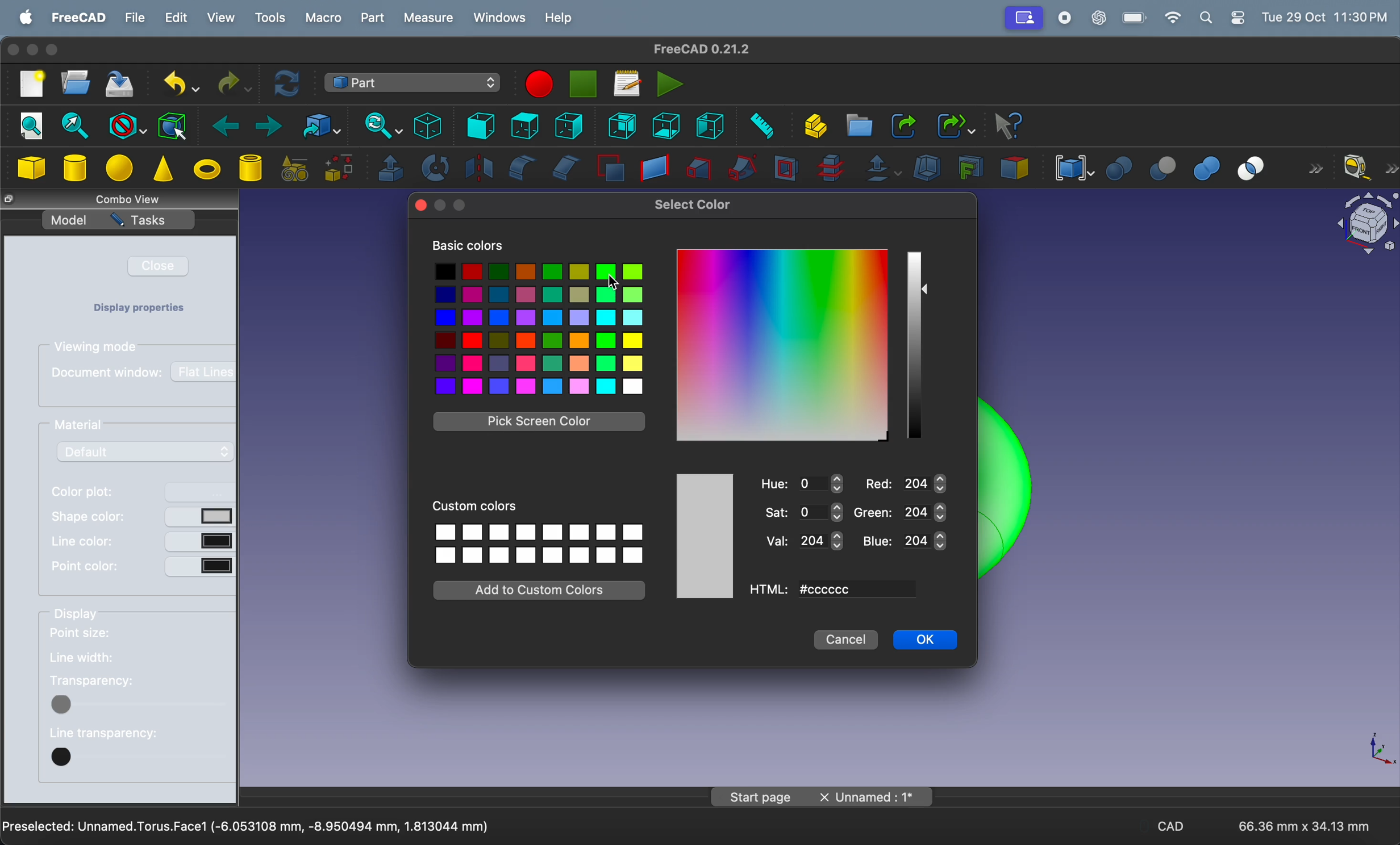  What do you see at coordinates (95, 348) in the screenshot?
I see `viewing modes` at bounding box center [95, 348].